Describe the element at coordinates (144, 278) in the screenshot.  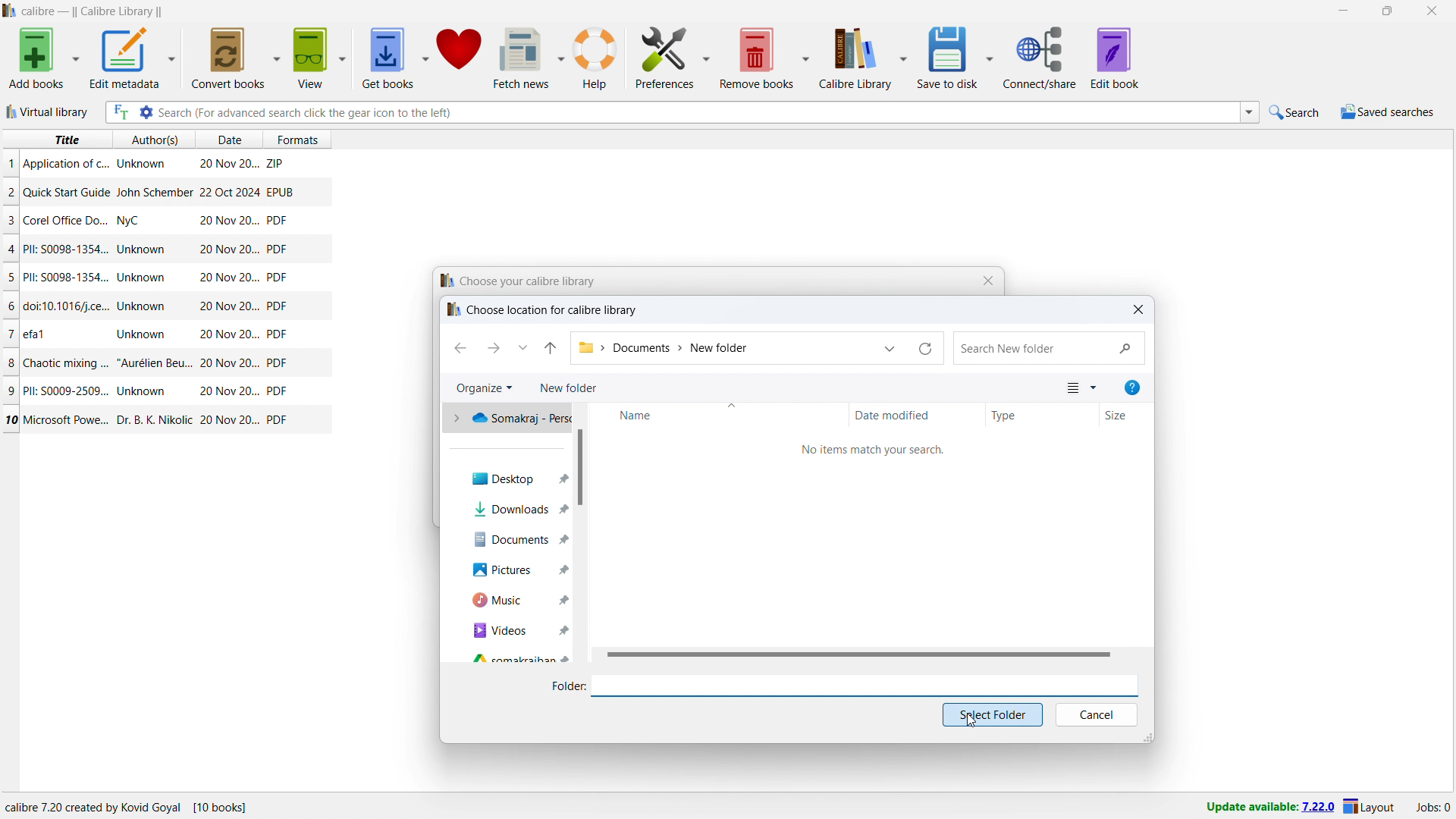
I see `Author` at that location.